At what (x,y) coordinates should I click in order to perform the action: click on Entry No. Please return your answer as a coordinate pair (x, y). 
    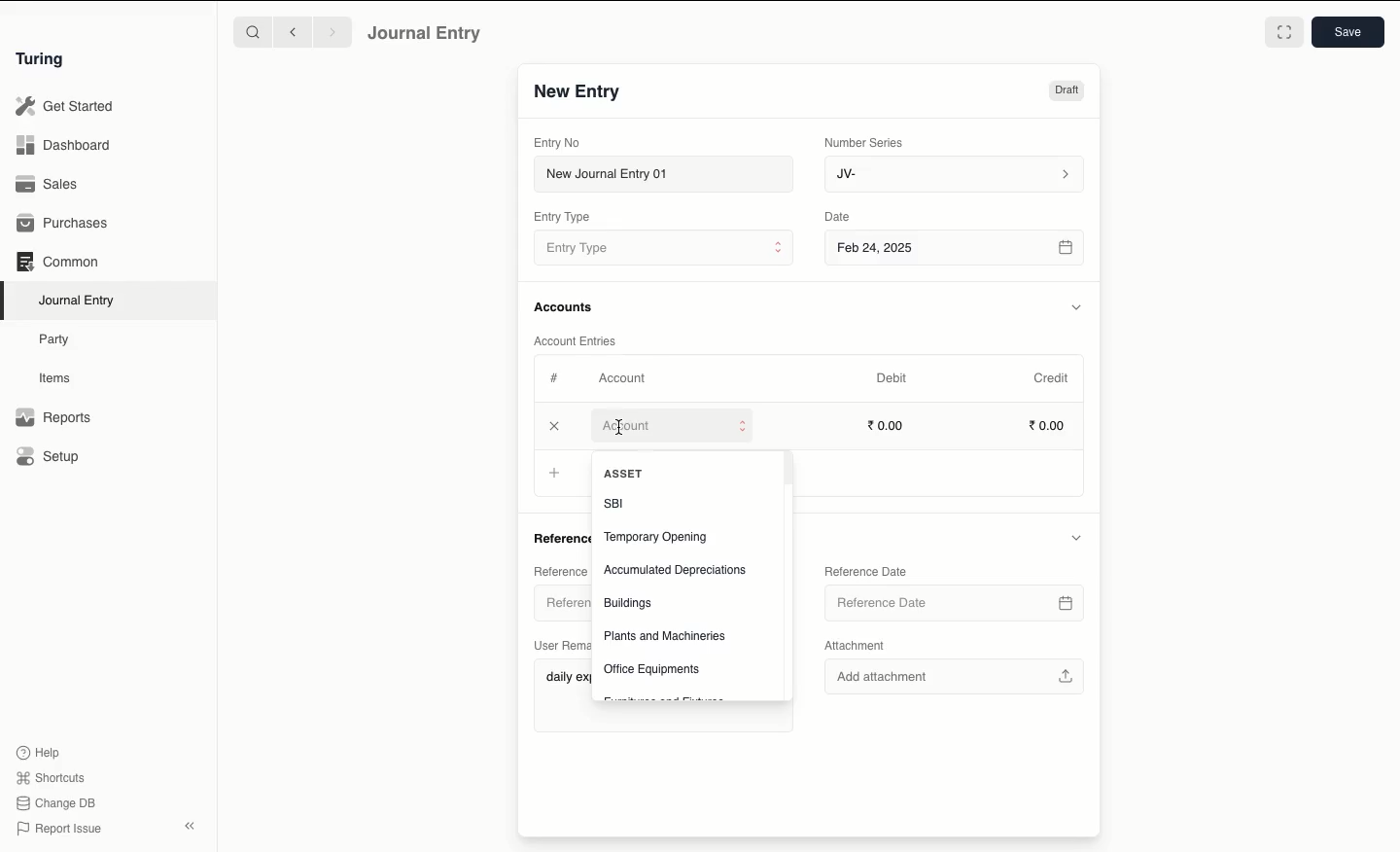
    Looking at the image, I should click on (557, 143).